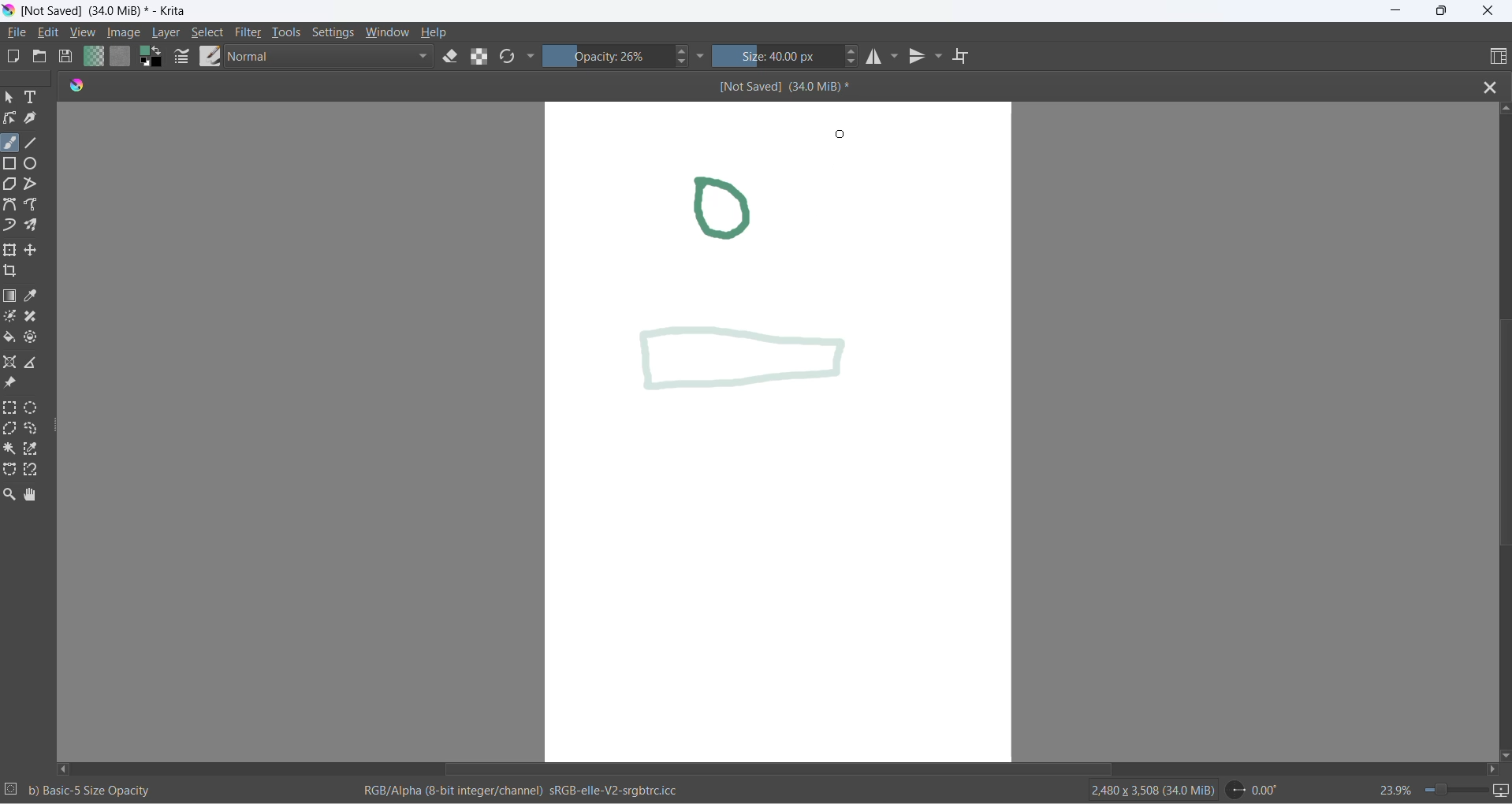  Describe the element at coordinates (1502, 792) in the screenshot. I see `slideshow` at that location.